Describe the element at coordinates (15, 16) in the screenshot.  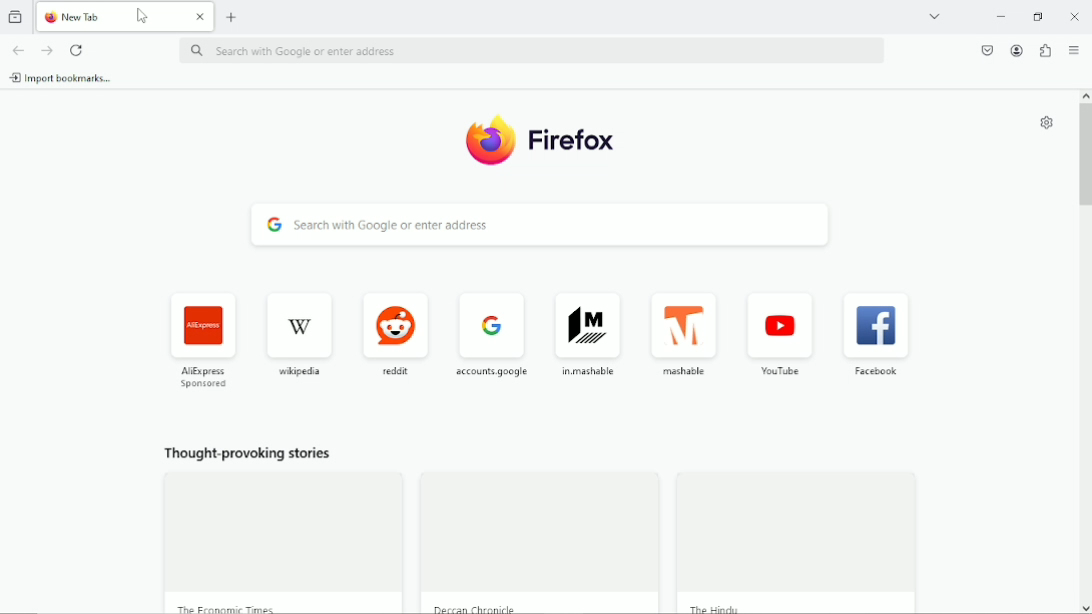
I see `View recent browsing` at that location.